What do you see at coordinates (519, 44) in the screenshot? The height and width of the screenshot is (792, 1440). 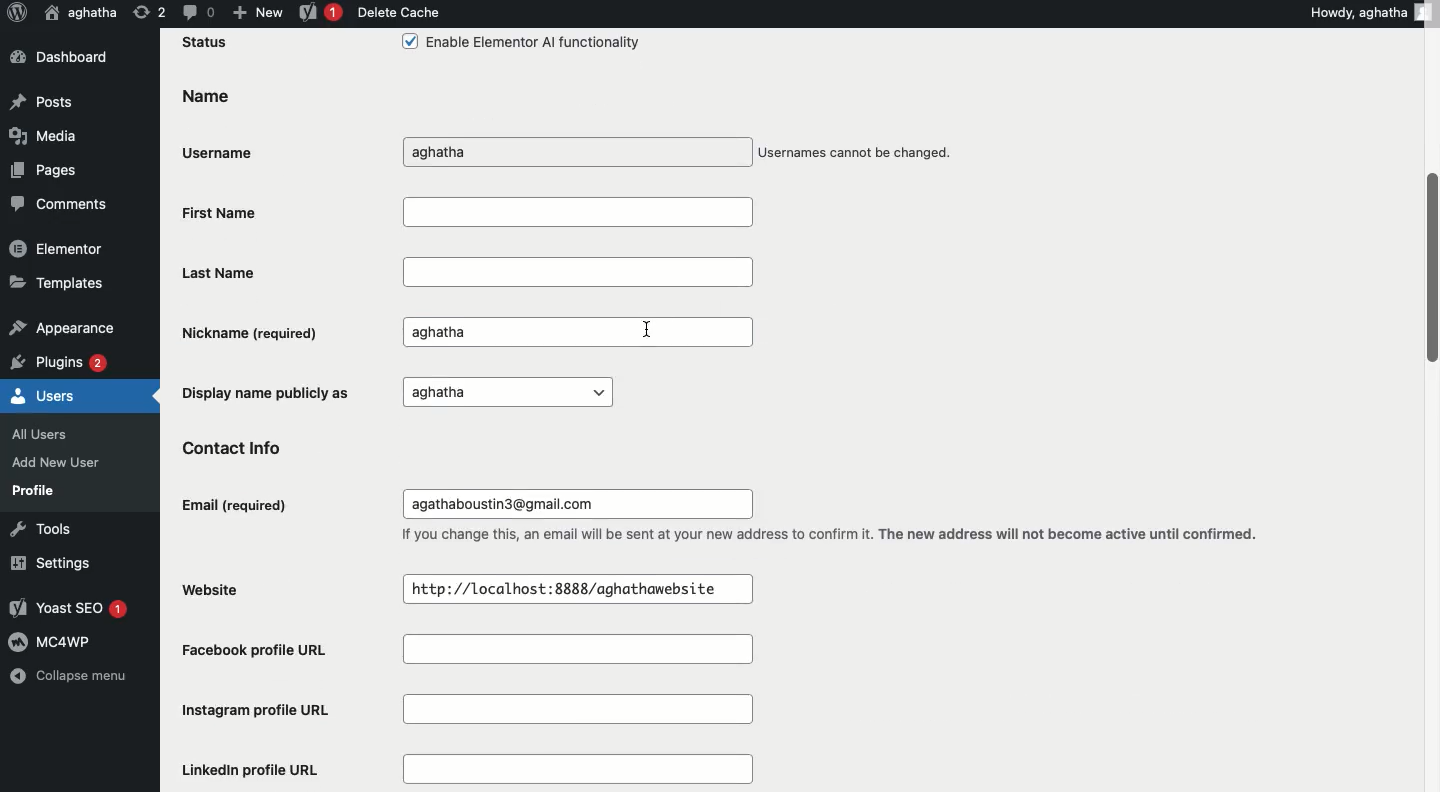 I see `Enable Elementor Al functionality` at bounding box center [519, 44].